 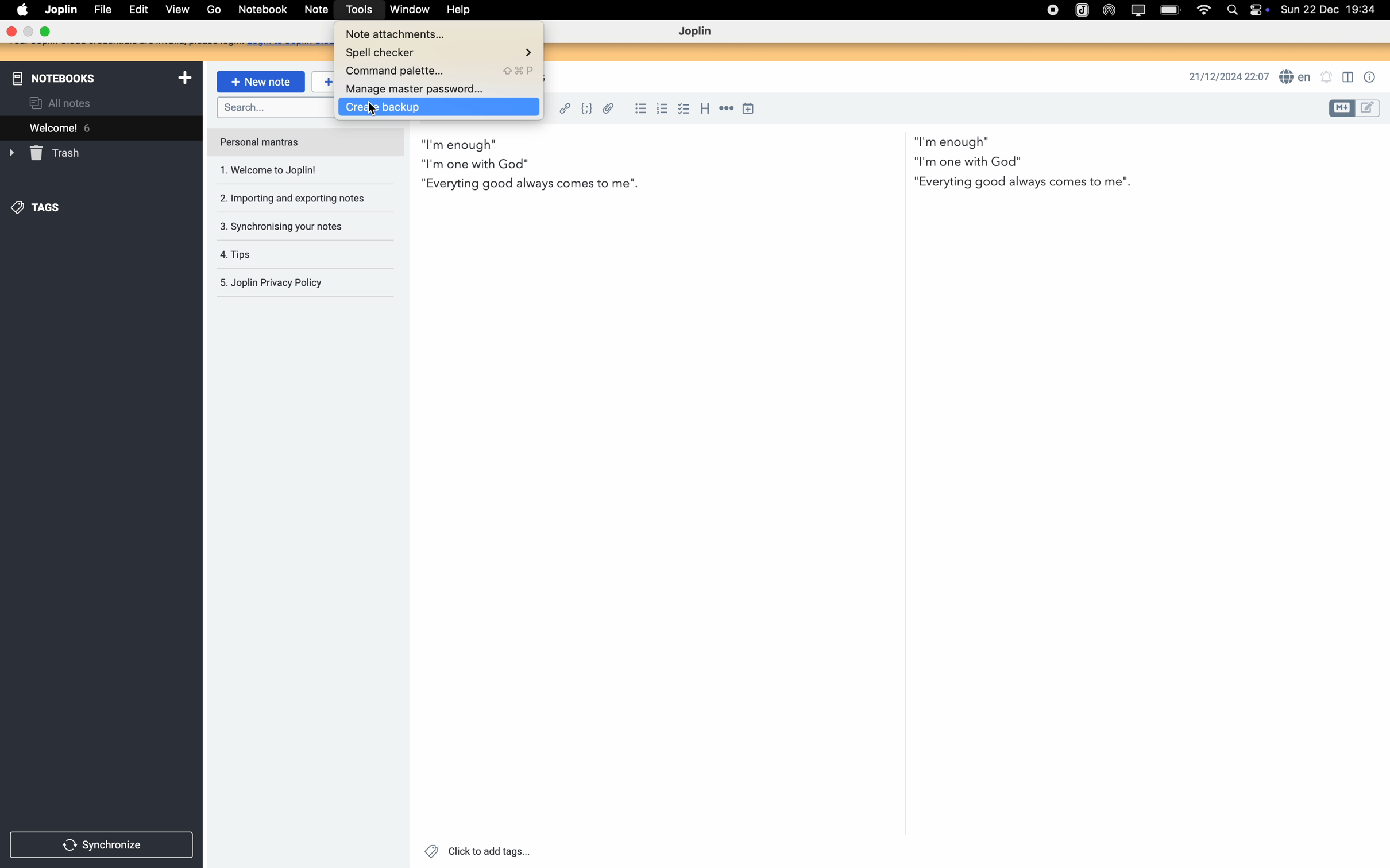 I want to click on insert time, so click(x=750, y=108).